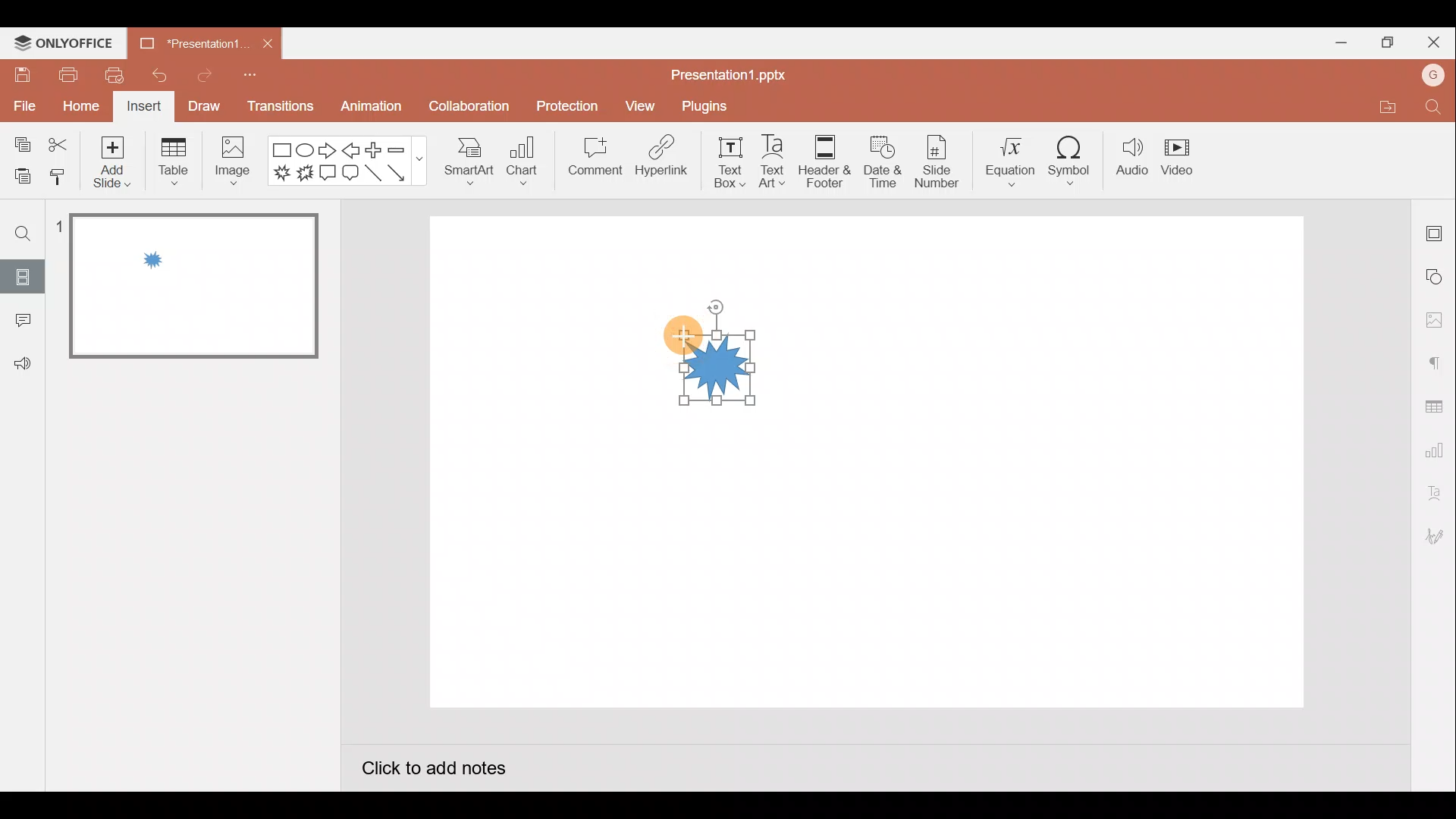 Image resolution: width=1456 pixels, height=819 pixels. Describe the element at coordinates (1436, 359) in the screenshot. I see `Paragraph settings` at that location.